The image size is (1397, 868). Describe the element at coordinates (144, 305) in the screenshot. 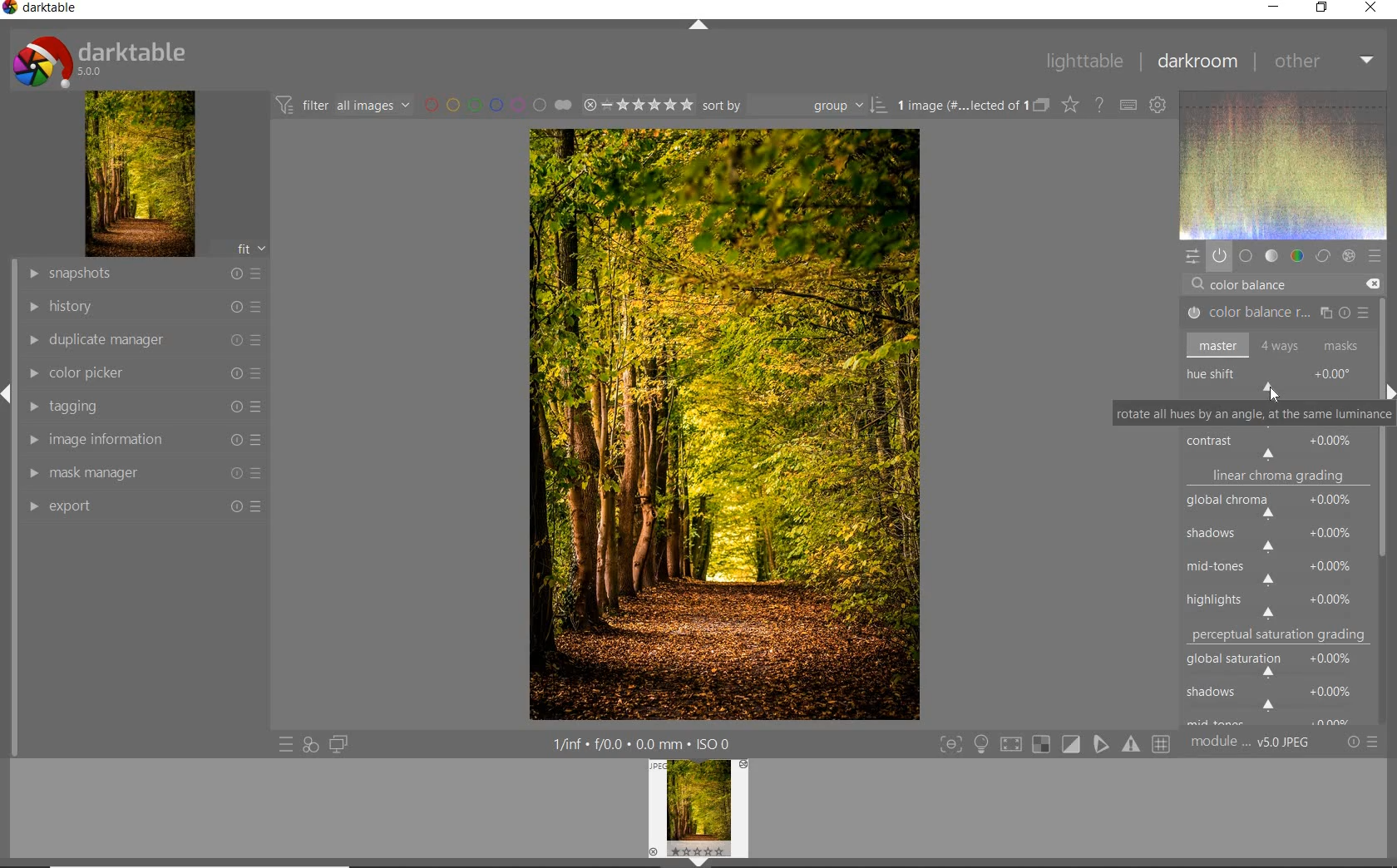

I see `history` at that location.